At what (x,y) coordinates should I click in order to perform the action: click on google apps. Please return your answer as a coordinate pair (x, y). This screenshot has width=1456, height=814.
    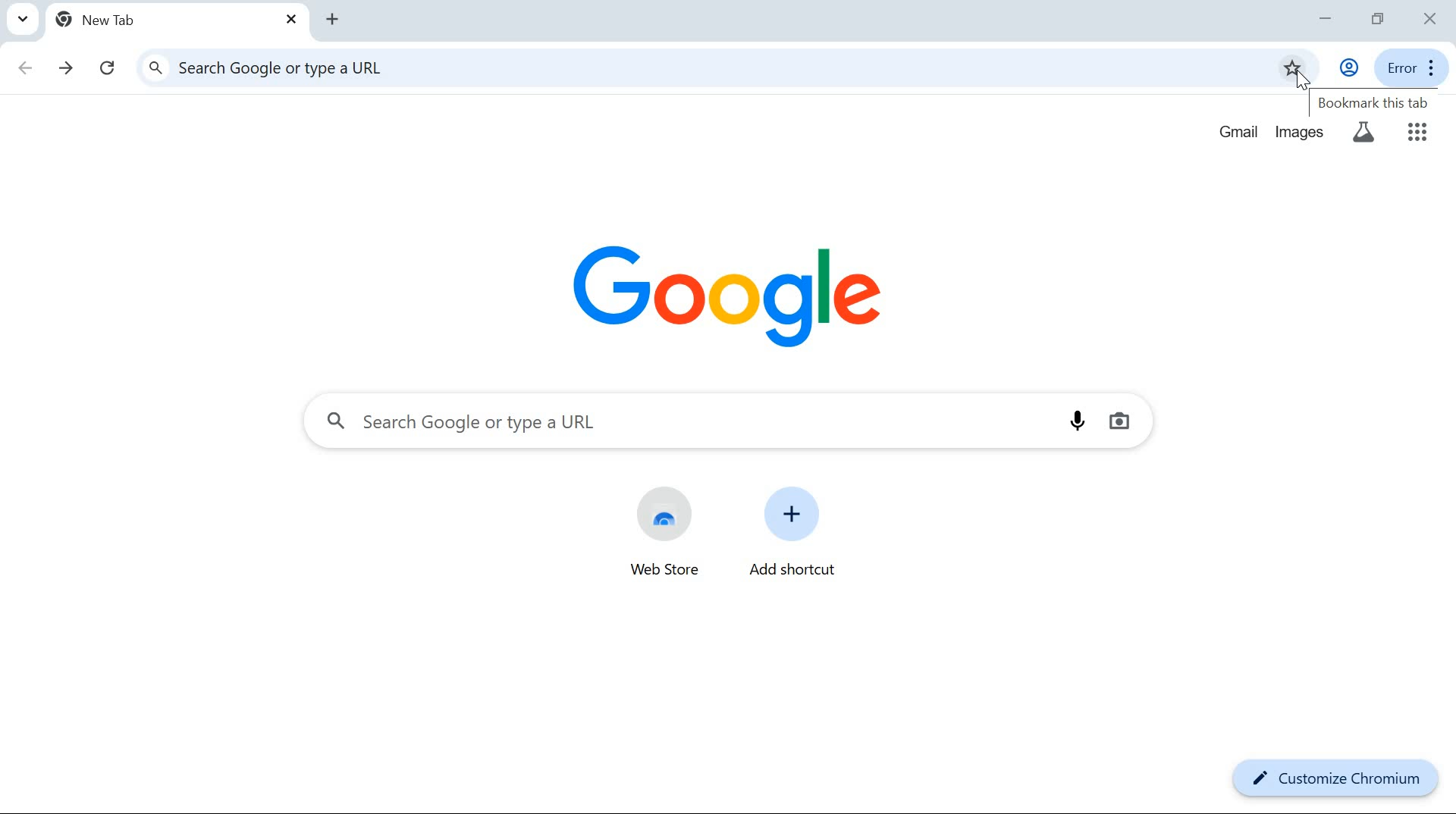
    Looking at the image, I should click on (1417, 133).